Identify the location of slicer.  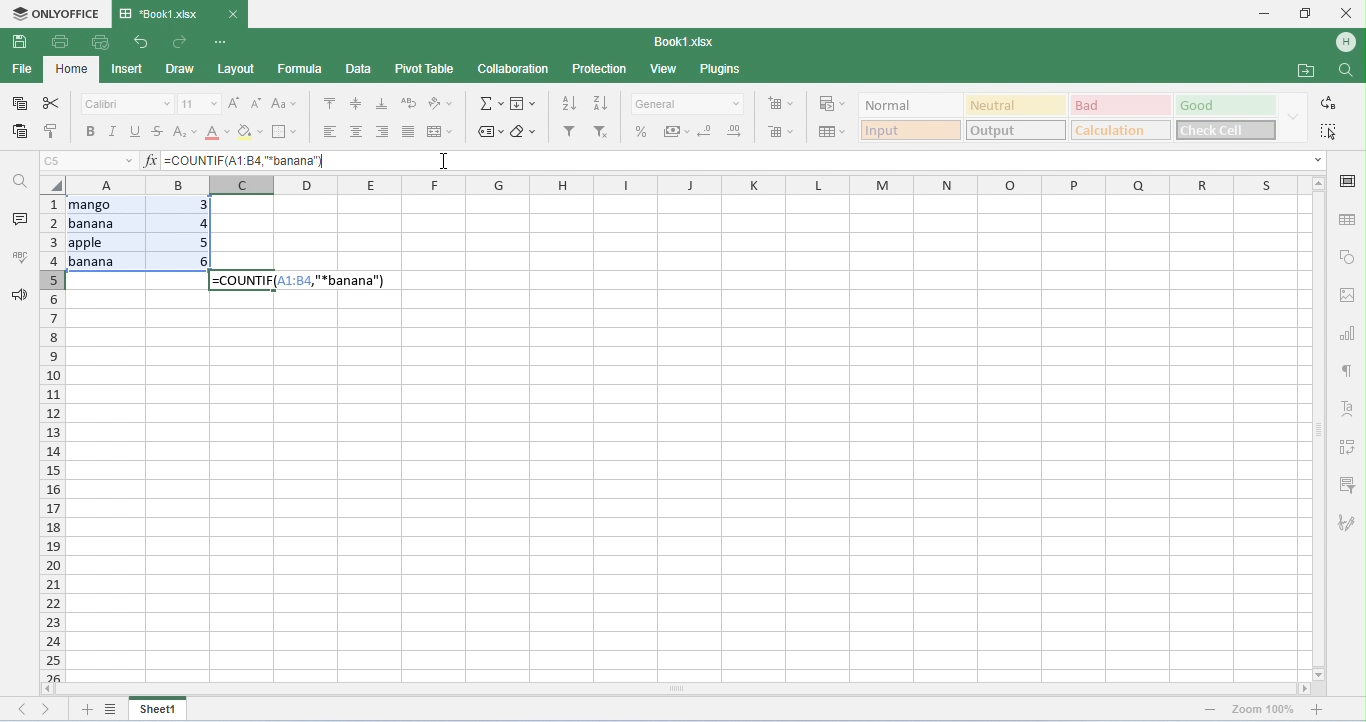
(1349, 485).